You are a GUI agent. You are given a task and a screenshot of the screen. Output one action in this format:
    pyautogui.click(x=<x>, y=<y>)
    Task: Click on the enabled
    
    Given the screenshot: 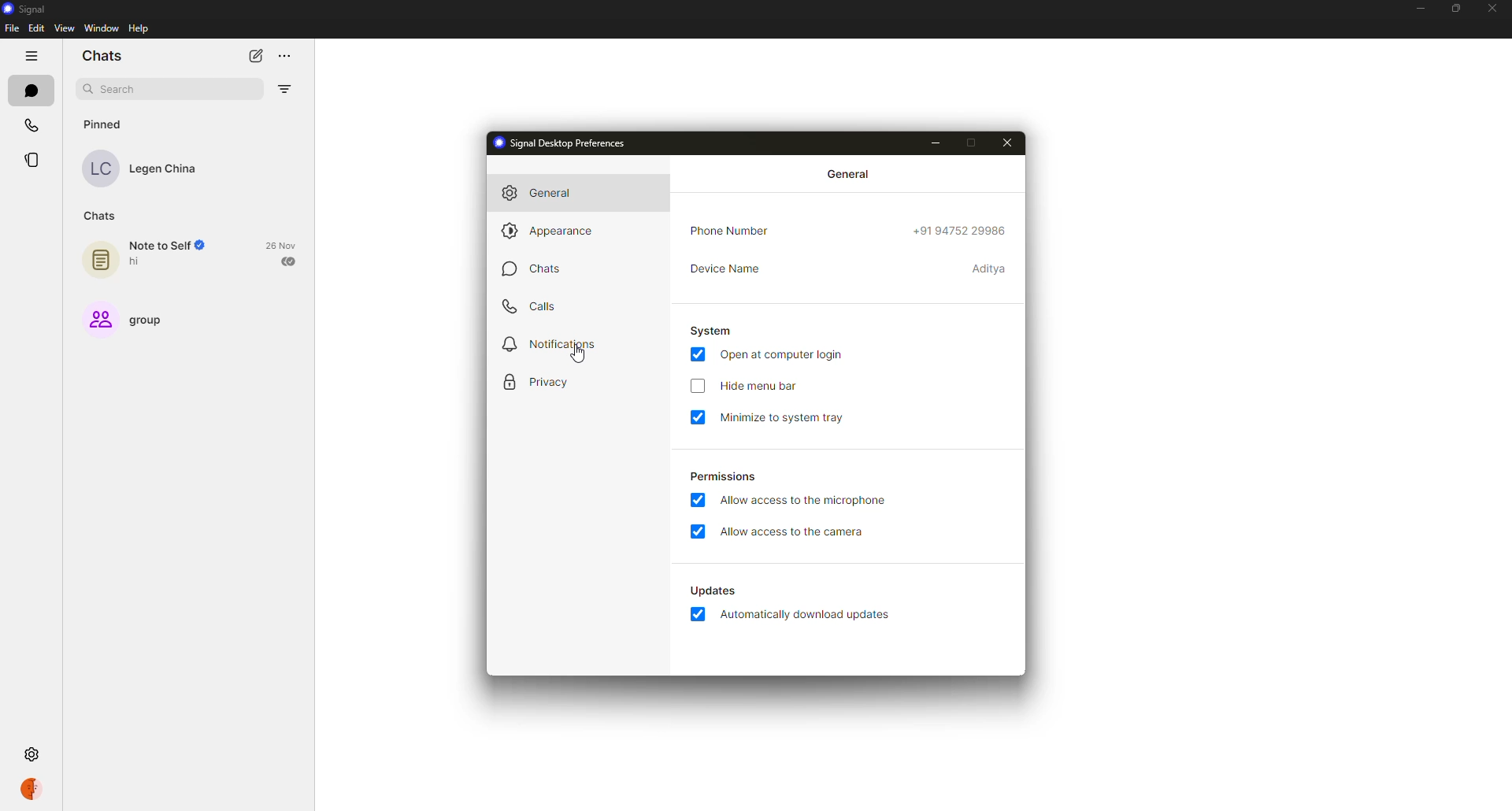 What is the action you would take?
    pyautogui.click(x=697, y=354)
    